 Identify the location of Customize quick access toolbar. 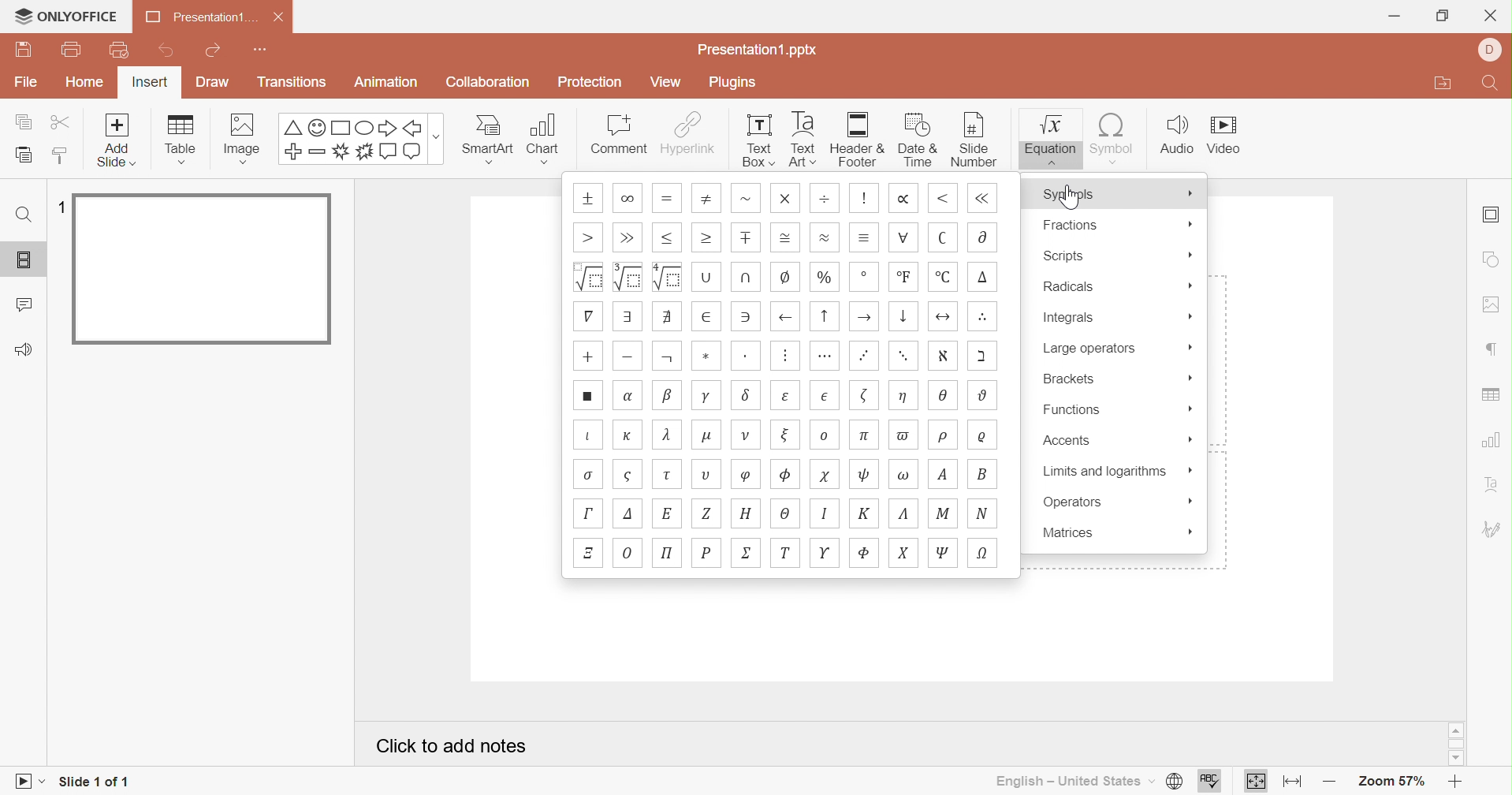
(259, 48).